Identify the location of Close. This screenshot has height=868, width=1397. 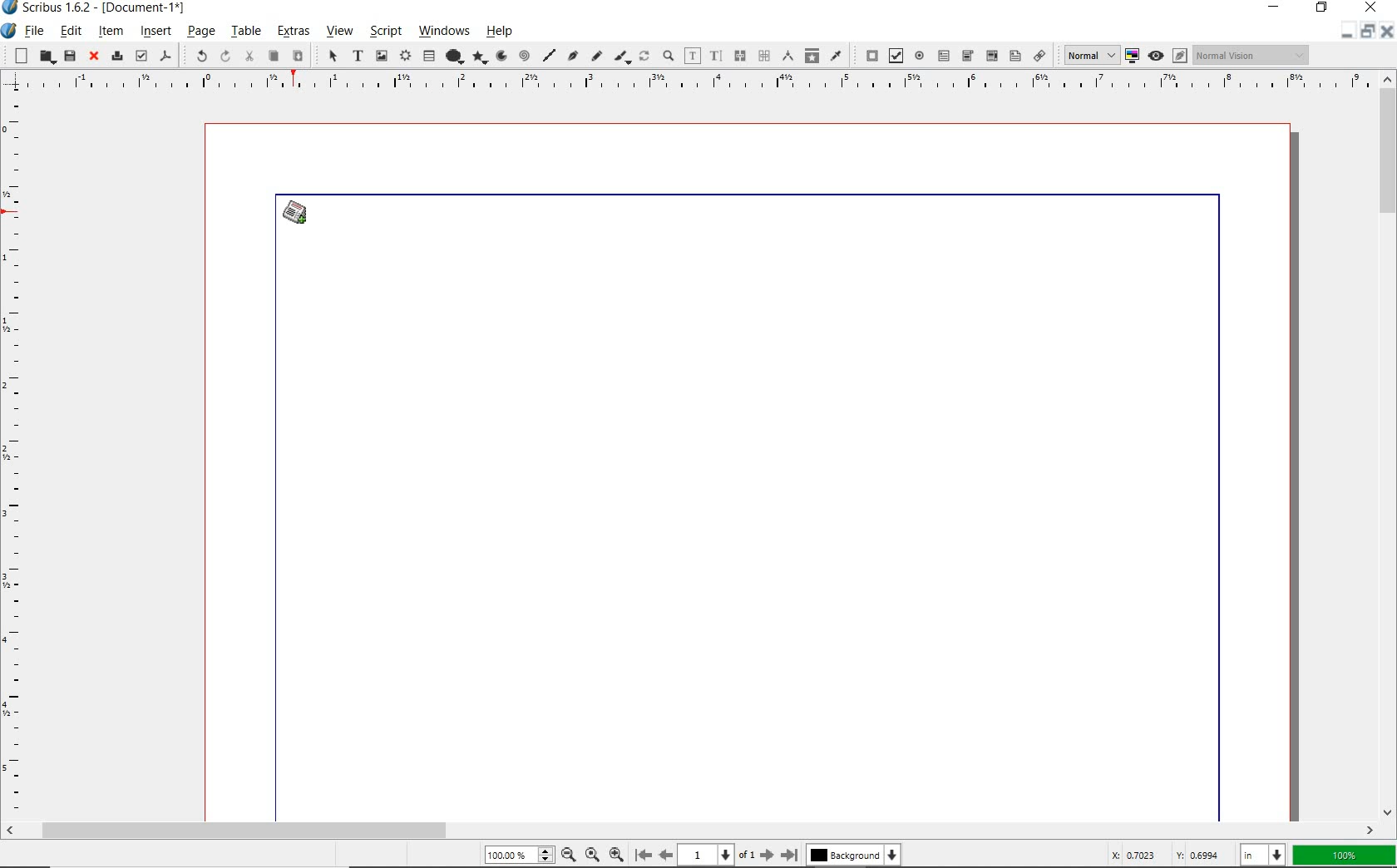
(1389, 31).